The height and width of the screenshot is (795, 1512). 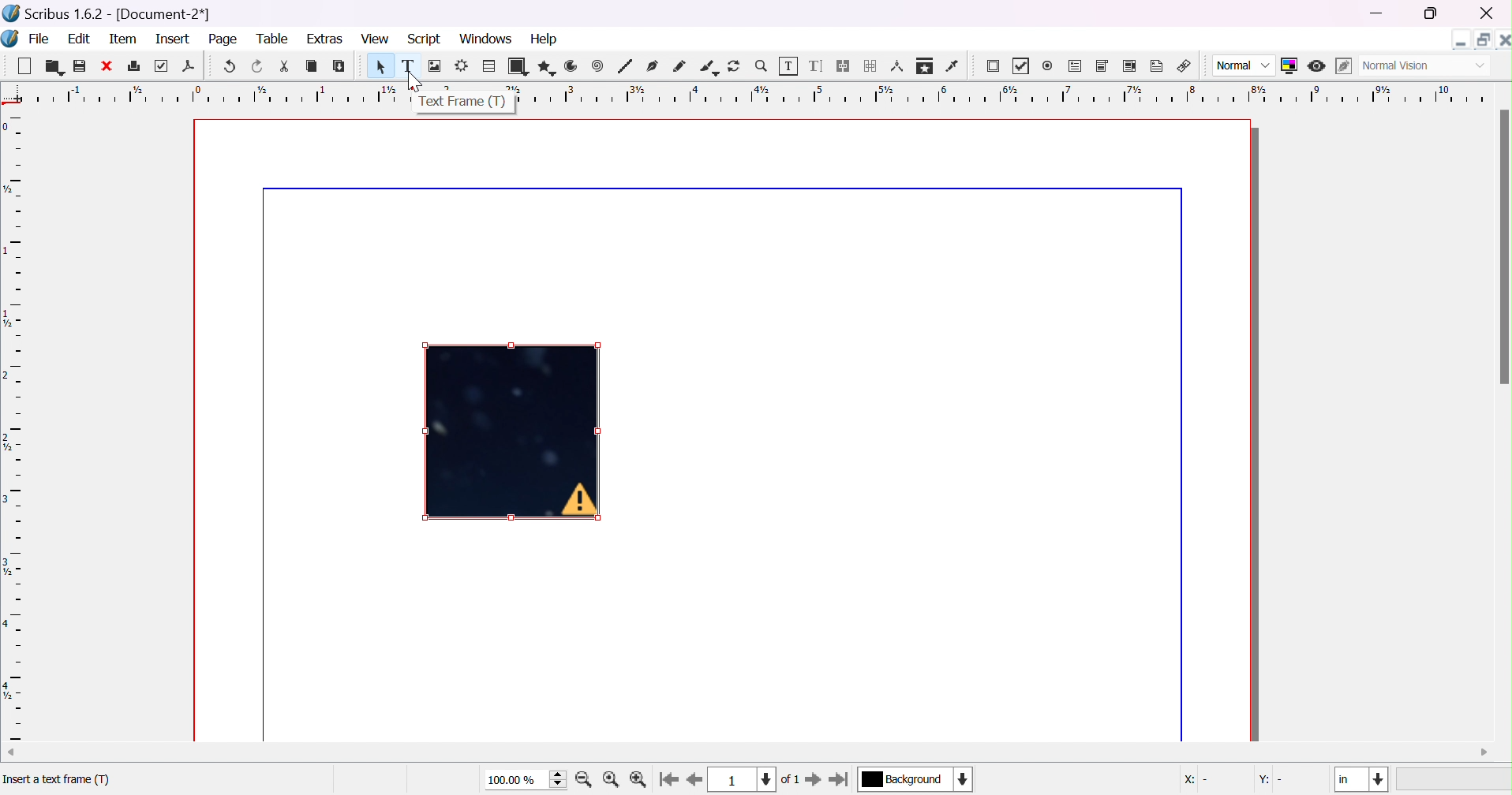 I want to click on new, so click(x=22, y=64).